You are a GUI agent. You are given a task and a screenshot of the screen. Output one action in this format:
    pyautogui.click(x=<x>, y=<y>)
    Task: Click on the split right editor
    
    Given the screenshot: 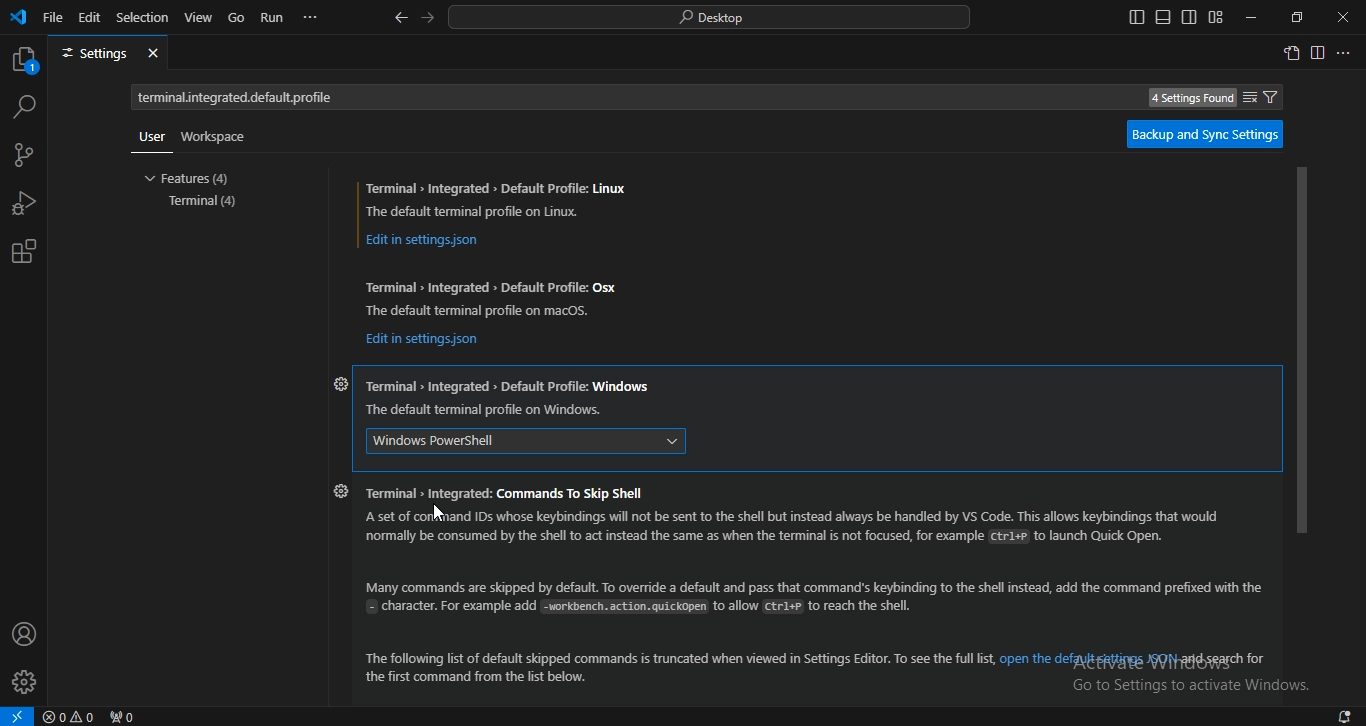 What is the action you would take?
    pyautogui.click(x=1320, y=52)
    